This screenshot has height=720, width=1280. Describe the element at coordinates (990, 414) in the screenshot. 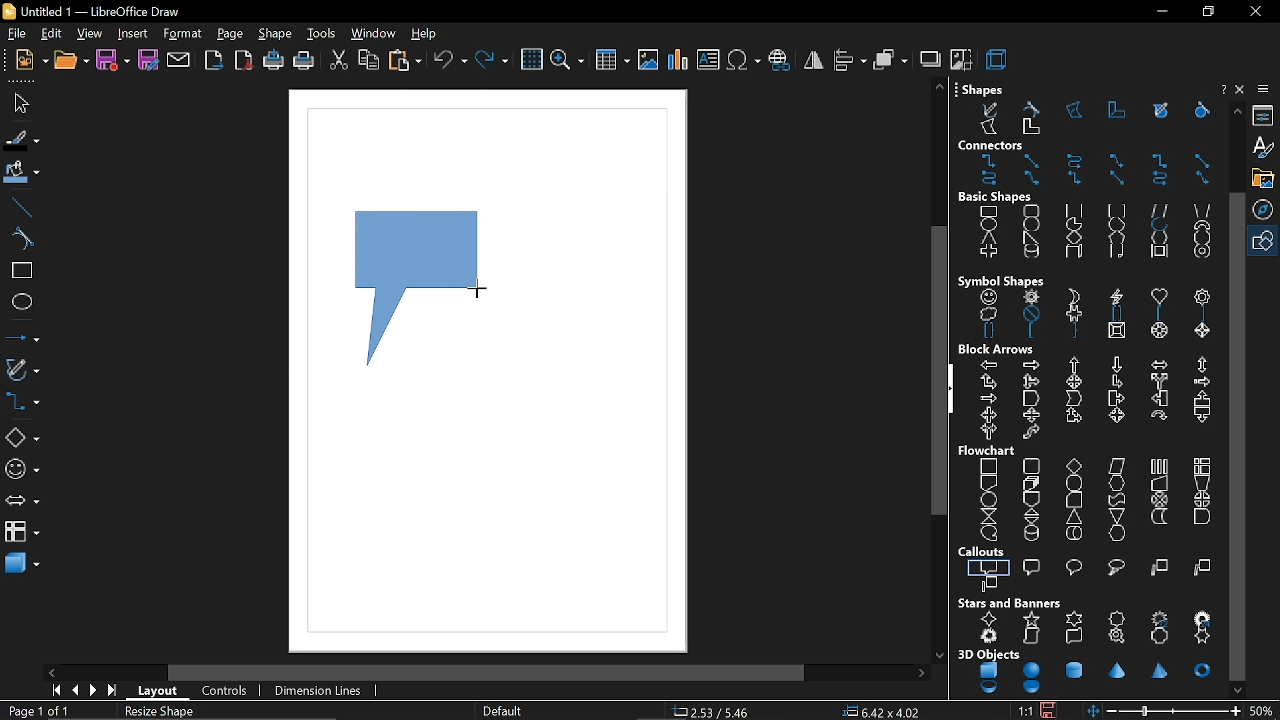

I see `left and right arrow callout` at that location.